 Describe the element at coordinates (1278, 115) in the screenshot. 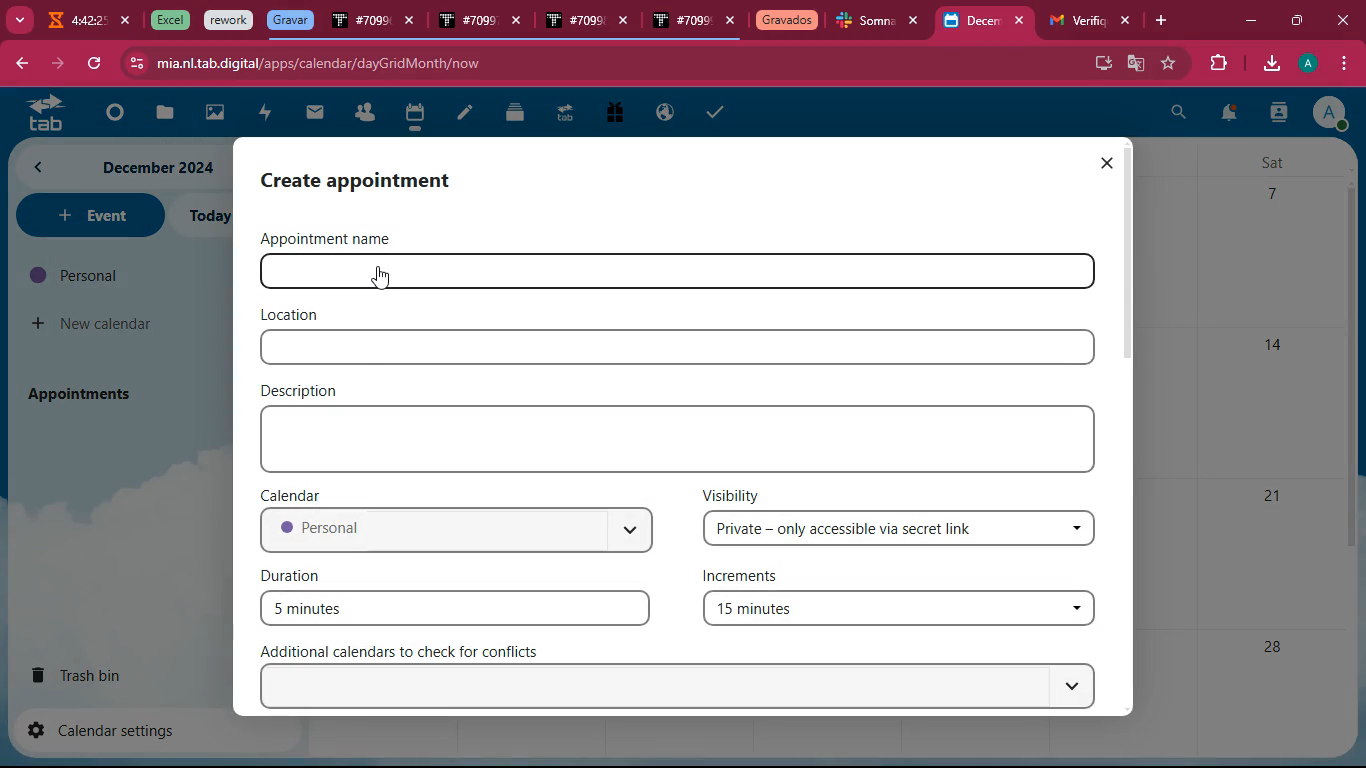

I see `user` at that location.